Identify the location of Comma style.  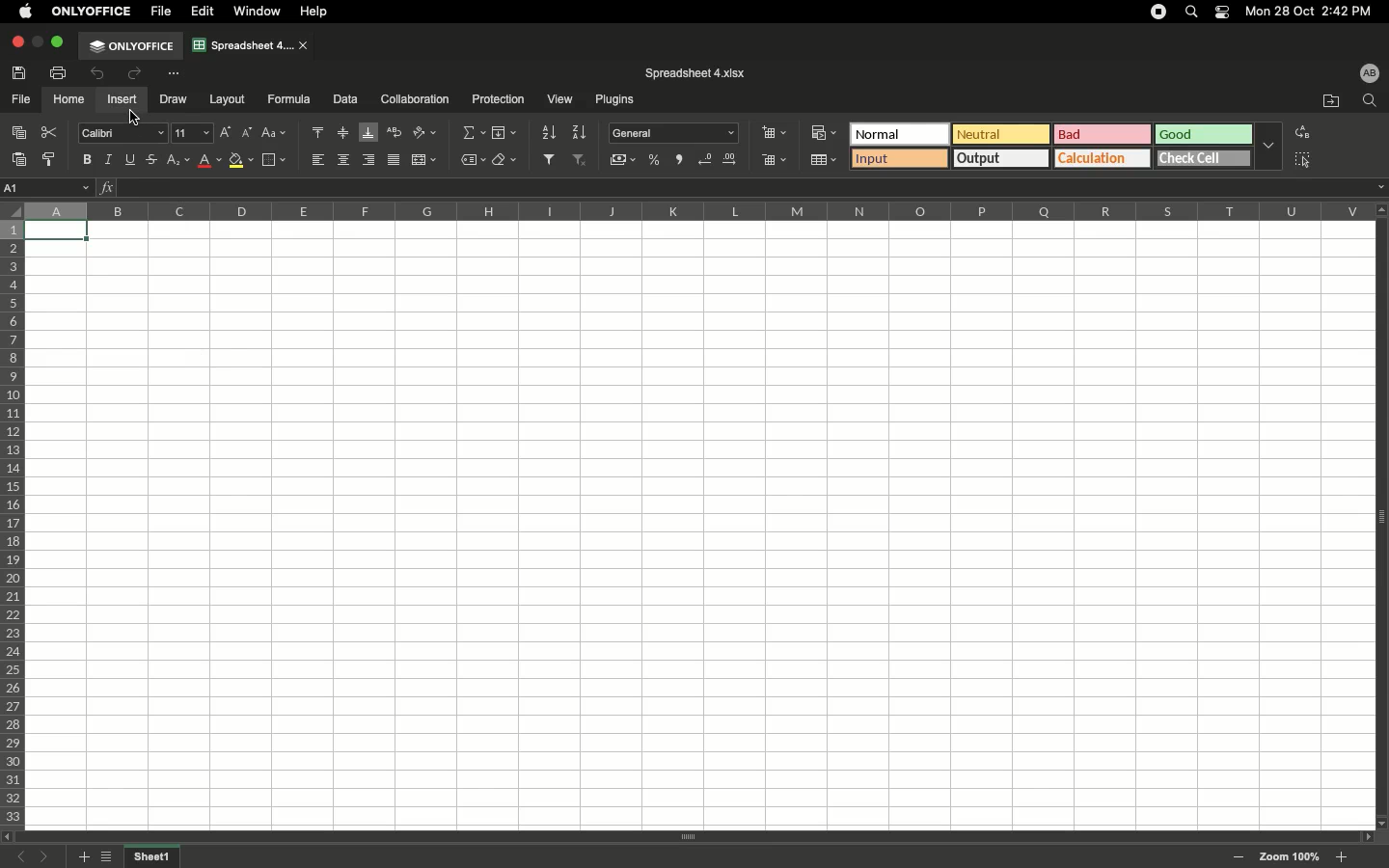
(681, 160).